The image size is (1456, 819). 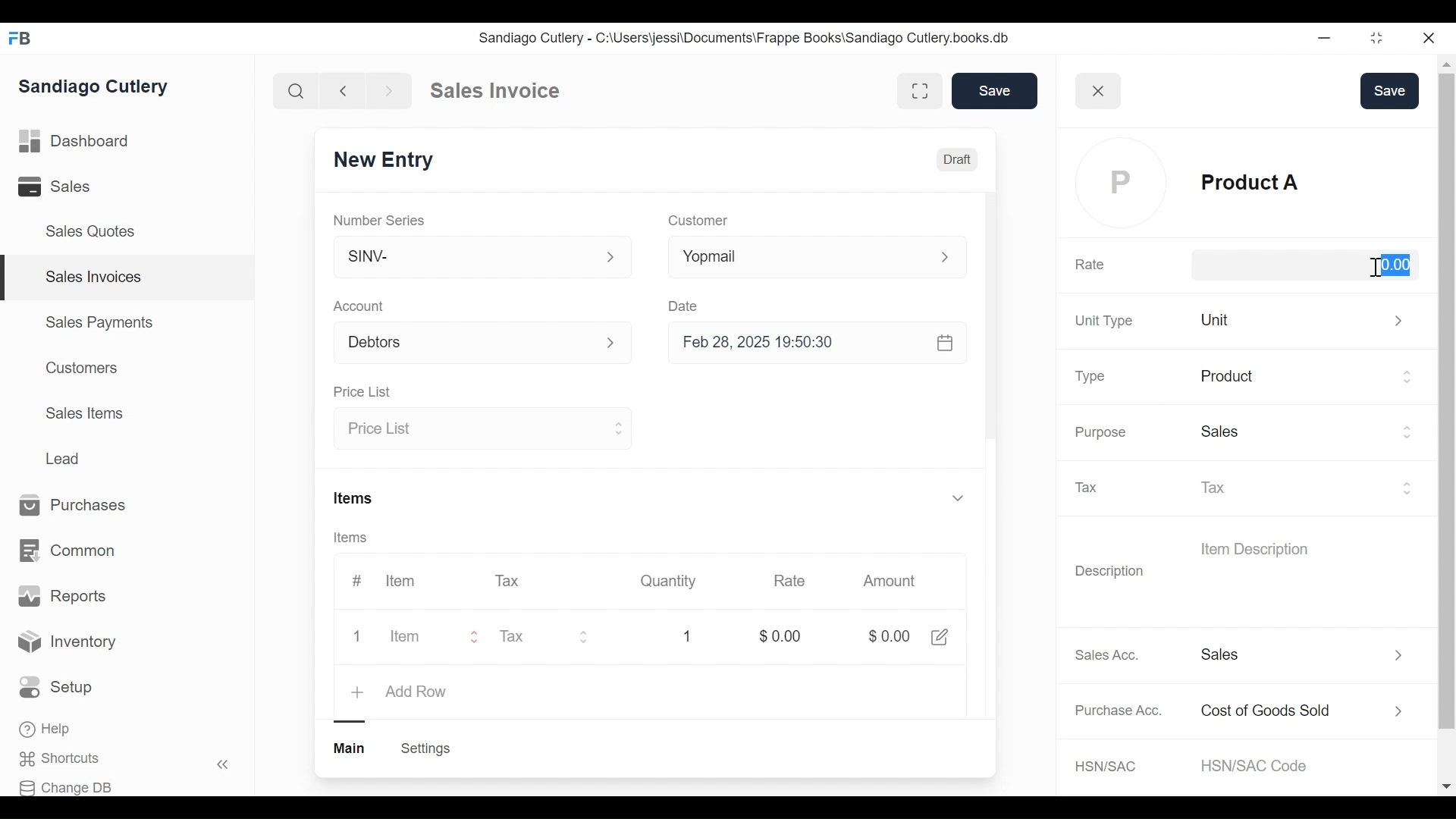 I want to click on Account, so click(x=361, y=306).